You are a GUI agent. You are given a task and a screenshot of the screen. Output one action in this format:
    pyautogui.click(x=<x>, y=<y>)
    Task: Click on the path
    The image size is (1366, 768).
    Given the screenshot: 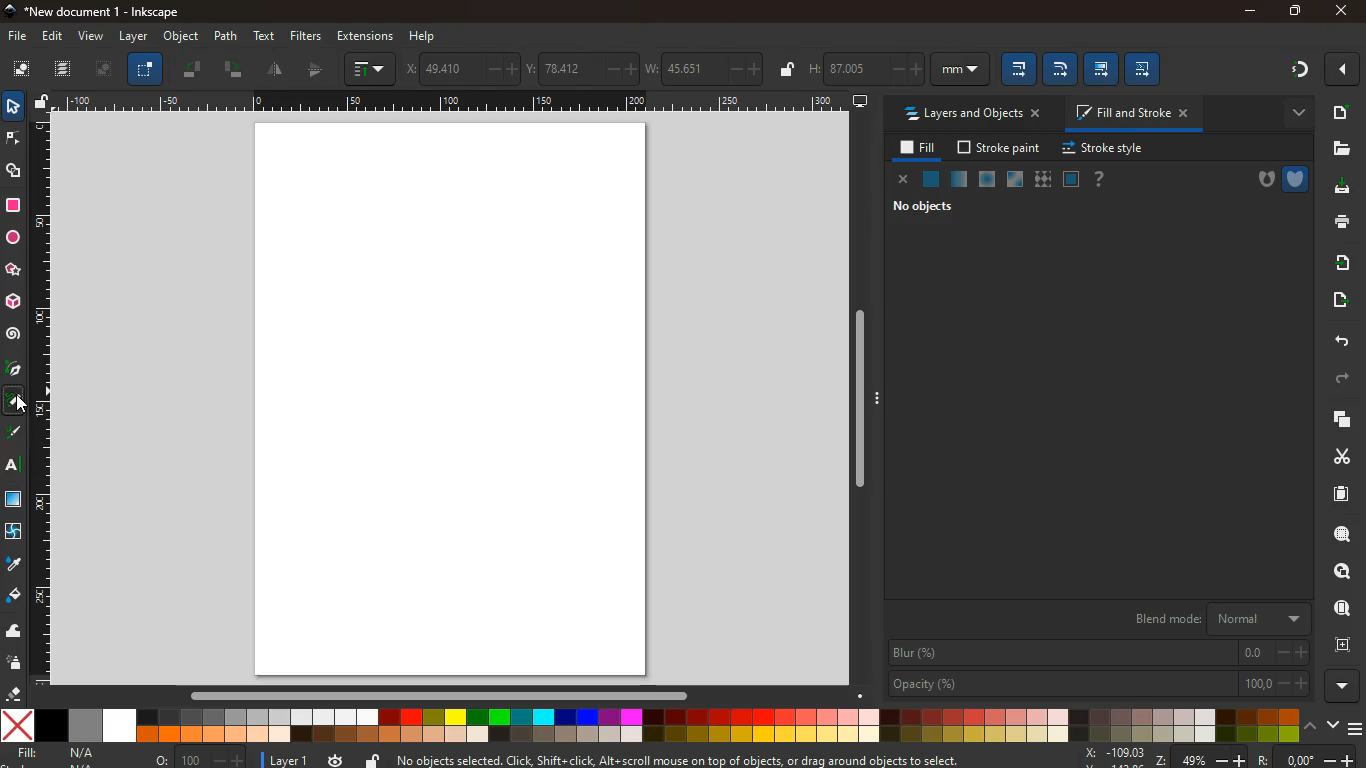 What is the action you would take?
    pyautogui.click(x=225, y=36)
    